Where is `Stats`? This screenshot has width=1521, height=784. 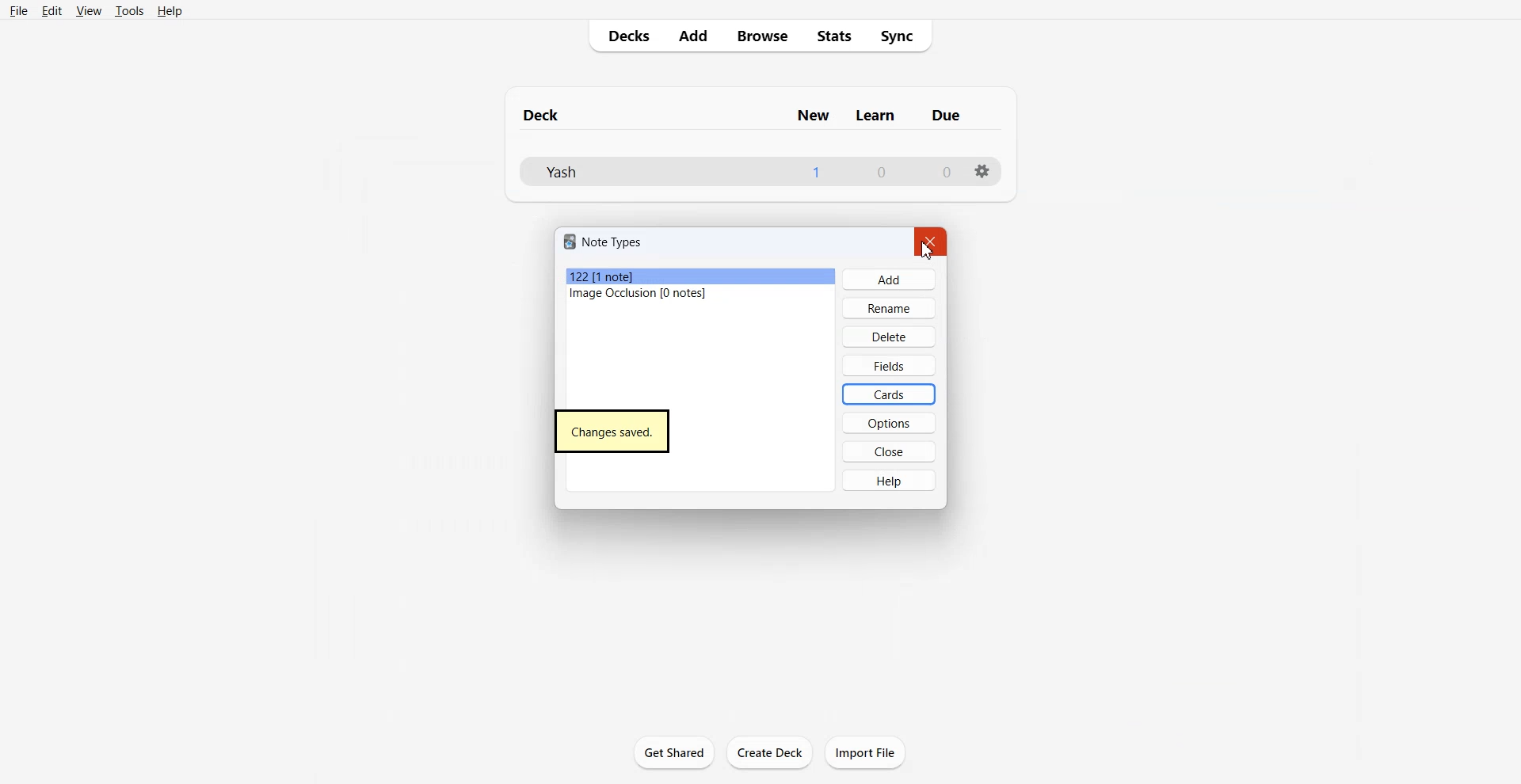 Stats is located at coordinates (834, 36).